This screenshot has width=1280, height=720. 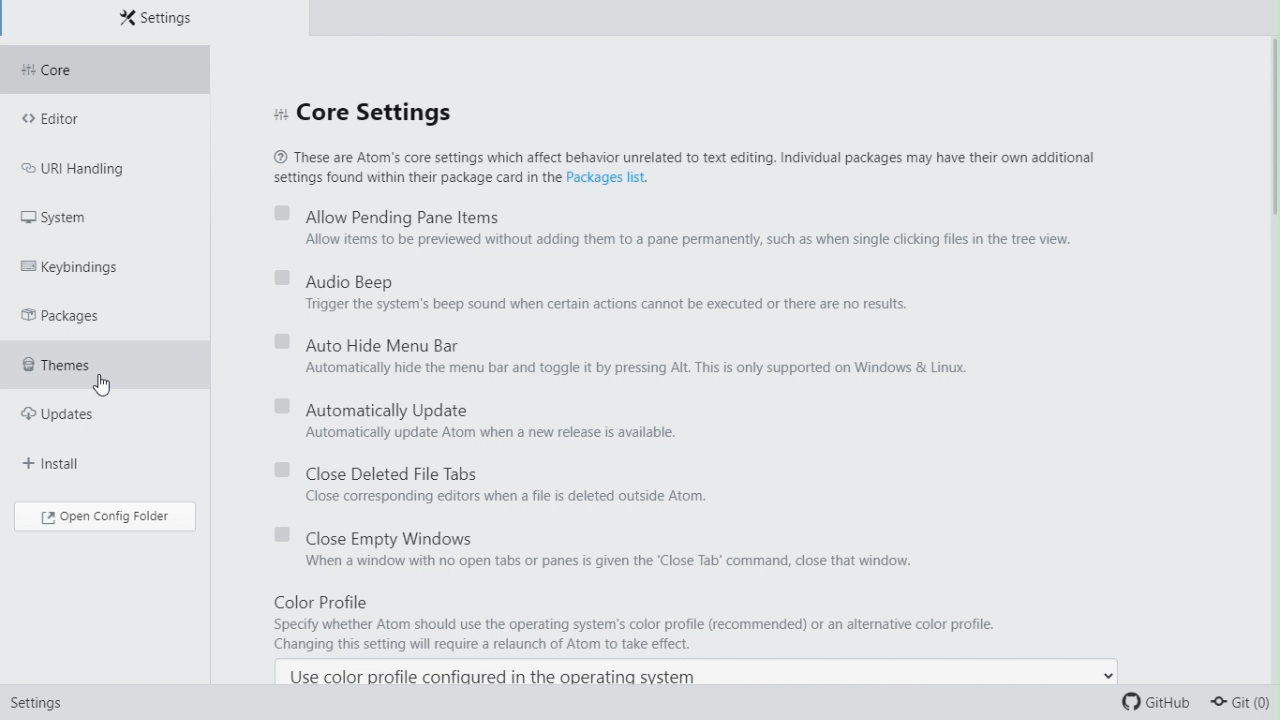 What do you see at coordinates (82, 263) in the screenshot?
I see `key Bindings` at bounding box center [82, 263].